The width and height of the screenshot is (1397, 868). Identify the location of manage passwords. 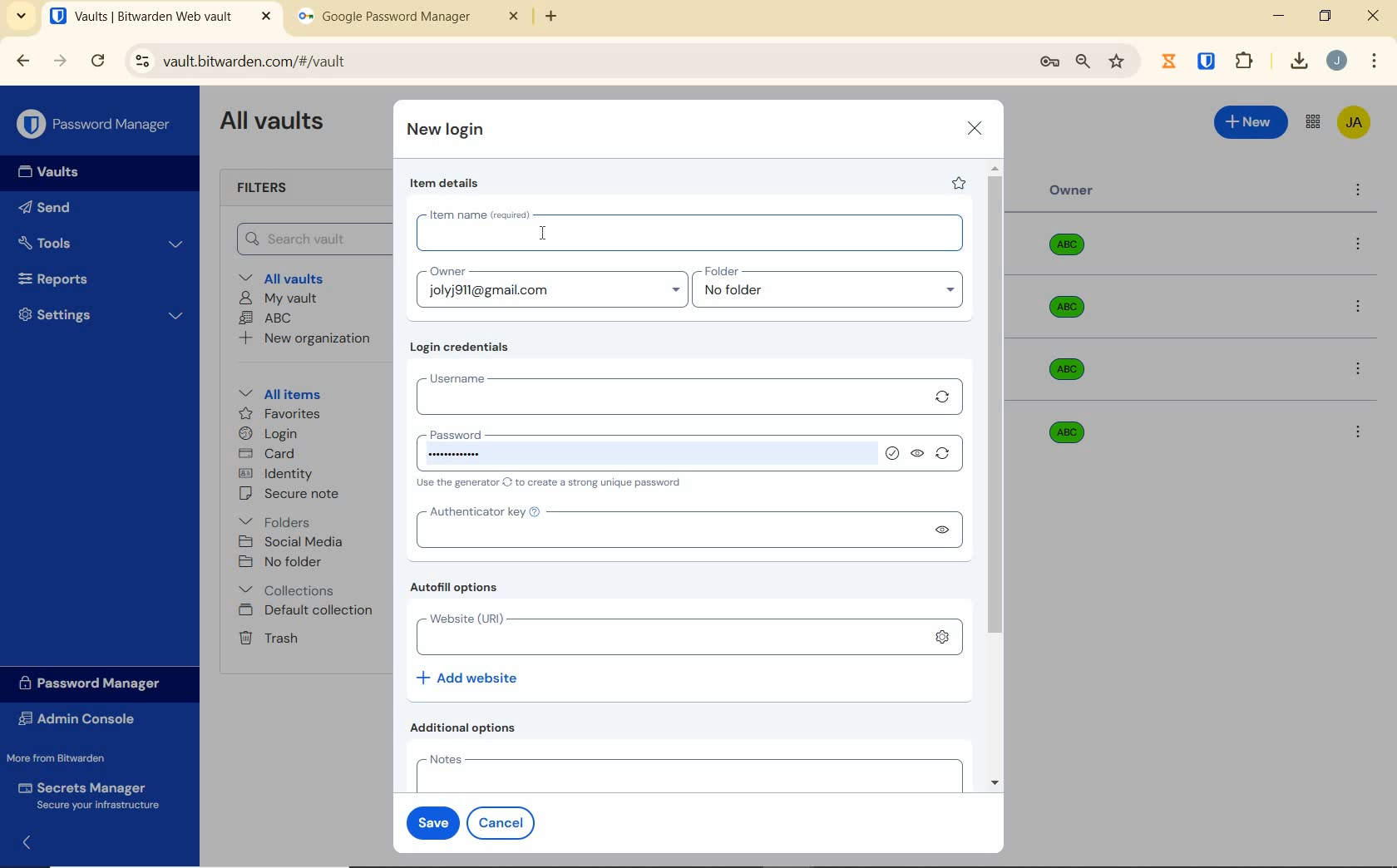
(1049, 62).